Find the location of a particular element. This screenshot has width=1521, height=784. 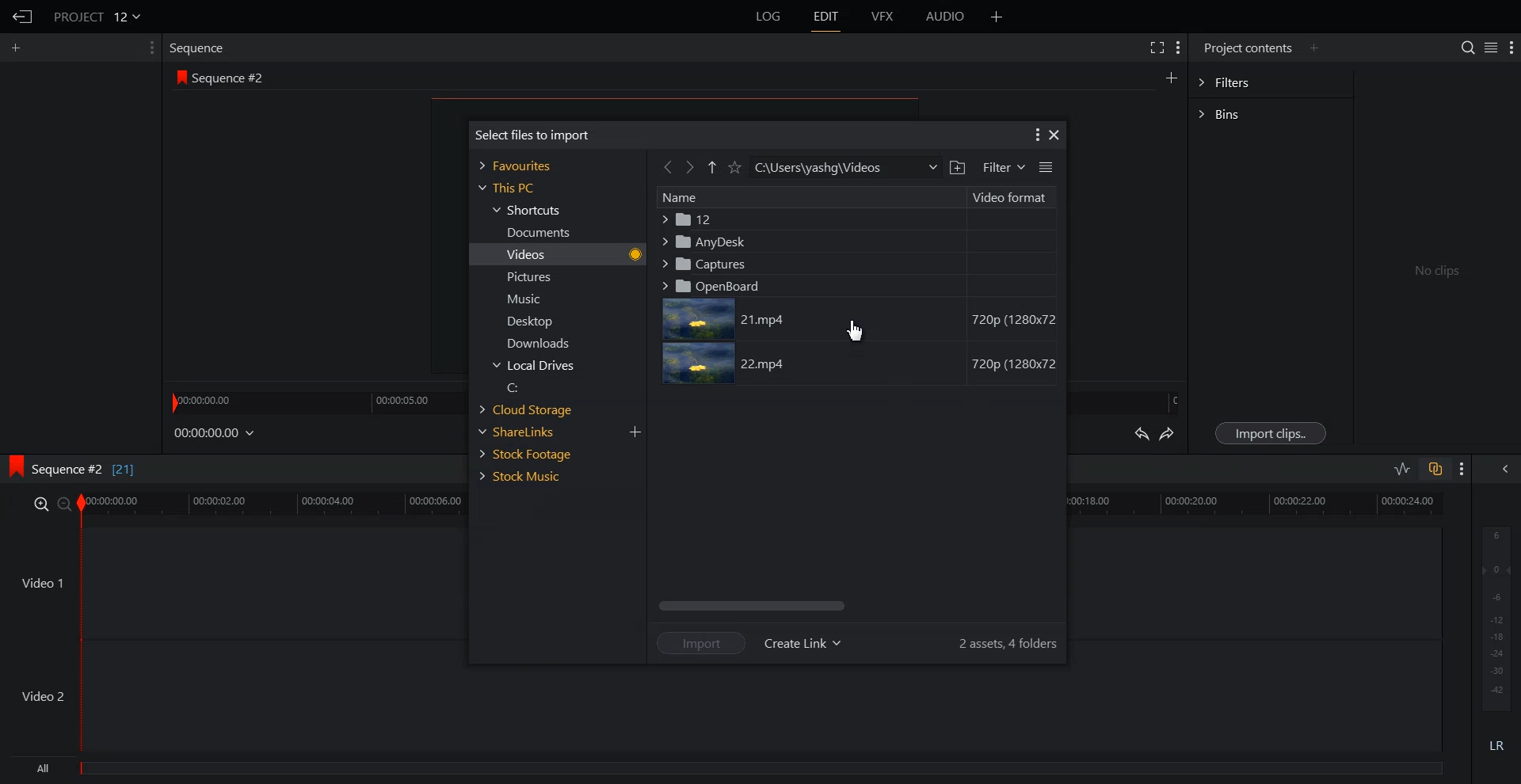

Undo is located at coordinates (1141, 433).